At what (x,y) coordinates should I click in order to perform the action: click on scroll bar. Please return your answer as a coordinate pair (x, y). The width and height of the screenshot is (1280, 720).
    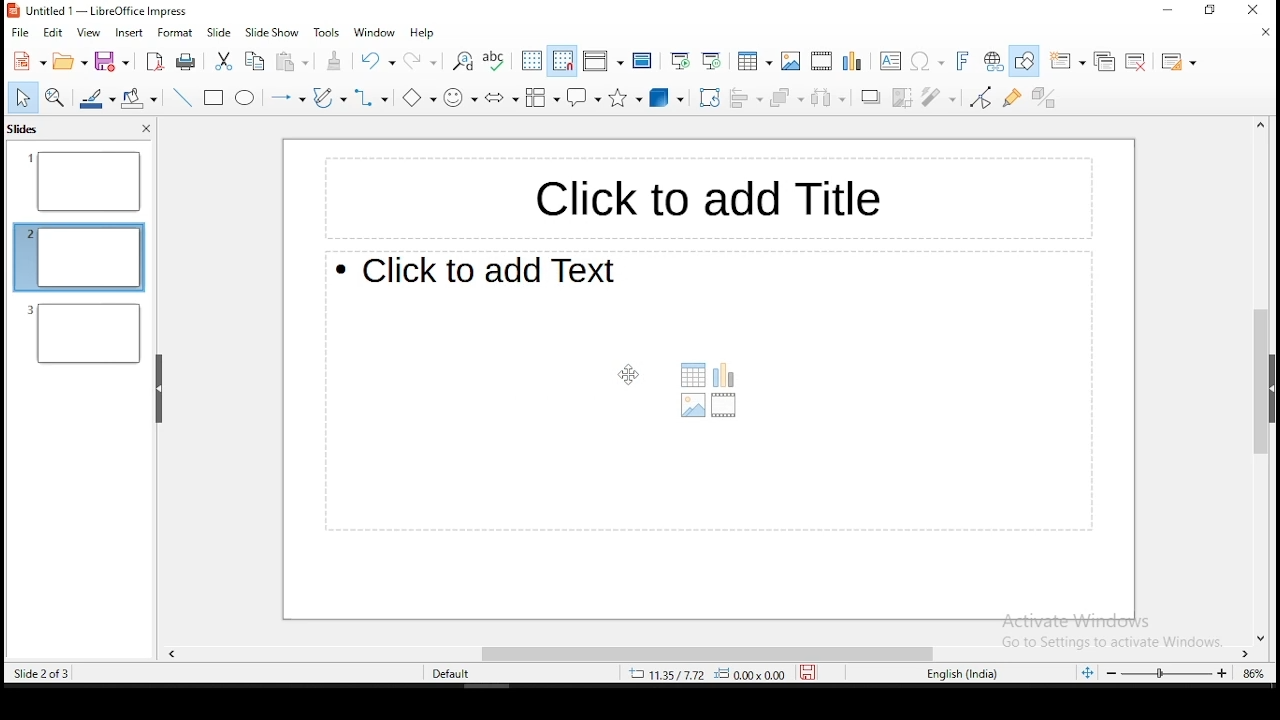
    Looking at the image, I should click on (1255, 381).